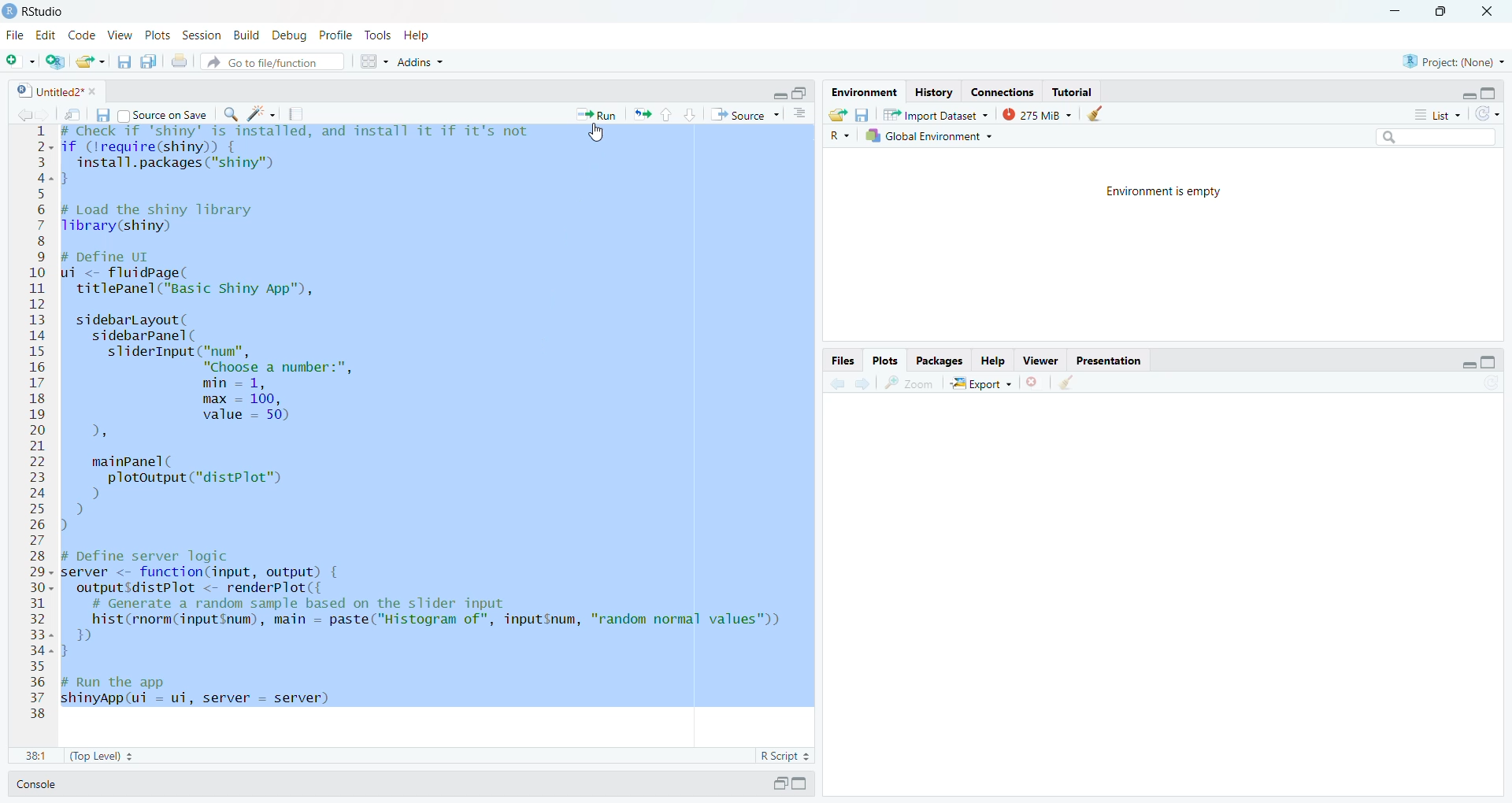 The width and height of the screenshot is (1512, 803). I want to click on forward, so click(43, 115).